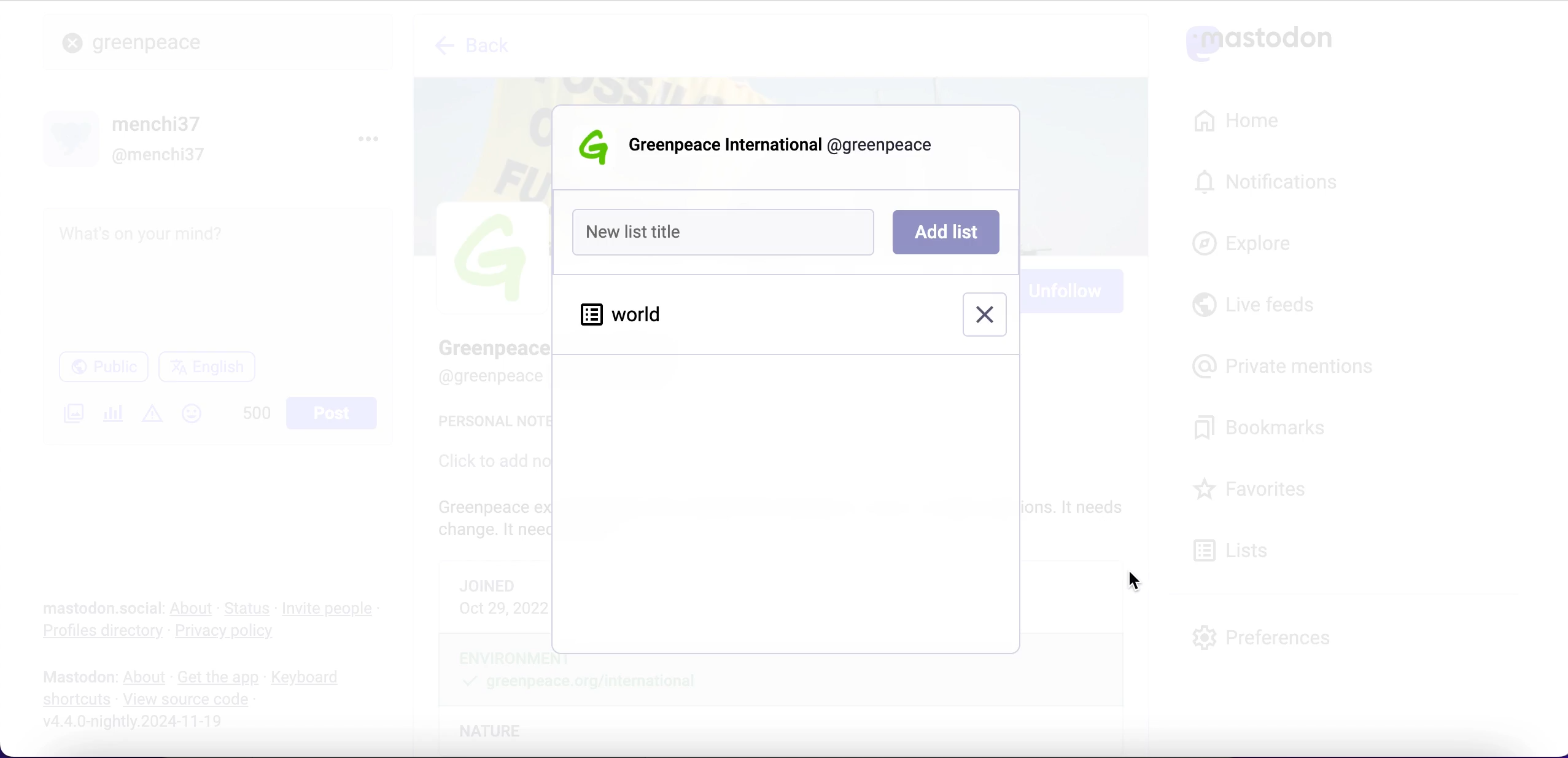 Image resolution: width=1568 pixels, height=758 pixels. Describe the element at coordinates (1262, 637) in the screenshot. I see `preferences` at that location.